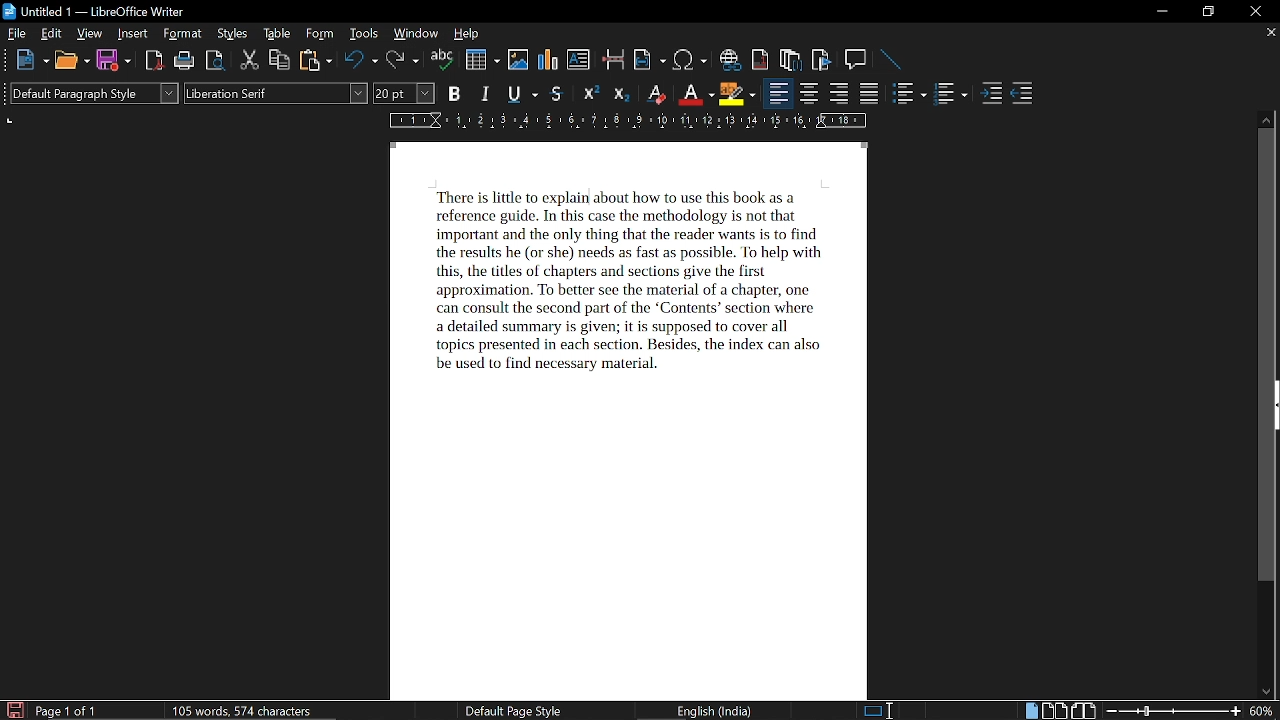 This screenshot has height=720, width=1280. I want to click on export as pdf, so click(156, 61).